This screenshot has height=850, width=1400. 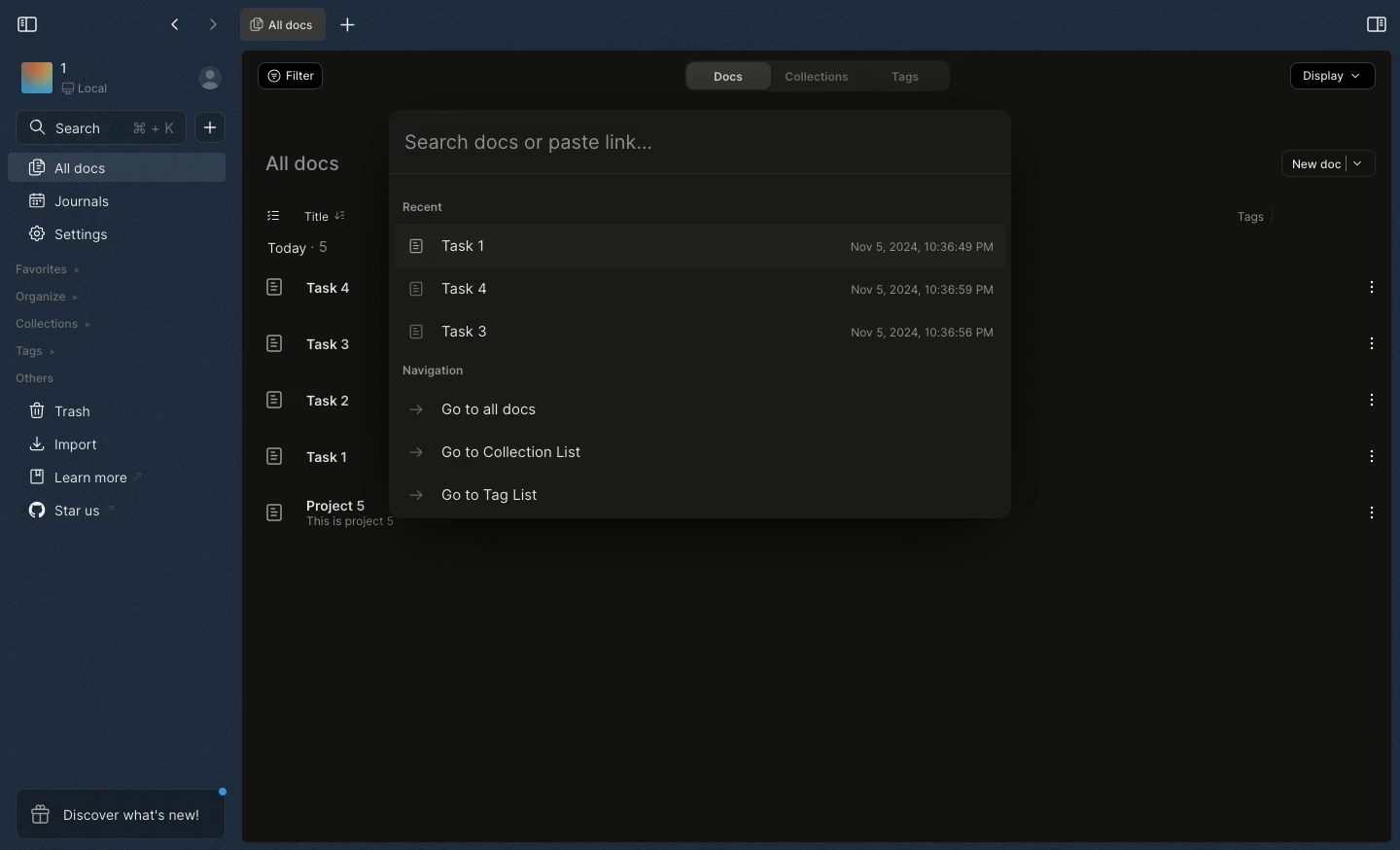 What do you see at coordinates (43, 297) in the screenshot?
I see `Organize` at bounding box center [43, 297].